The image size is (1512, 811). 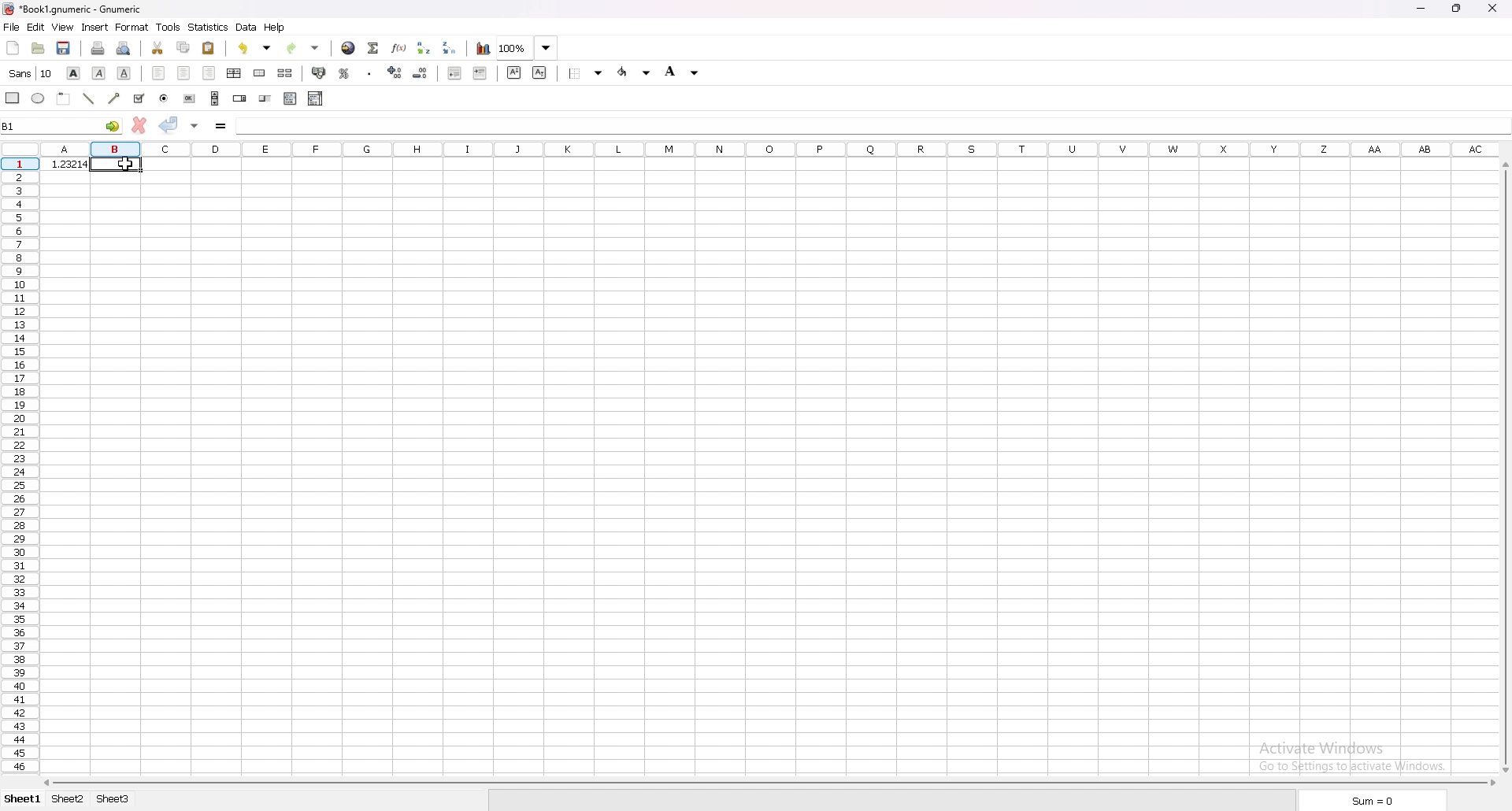 What do you see at coordinates (370, 72) in the screenshot?
I see `thousand separator` at bounding box center [370, 72].